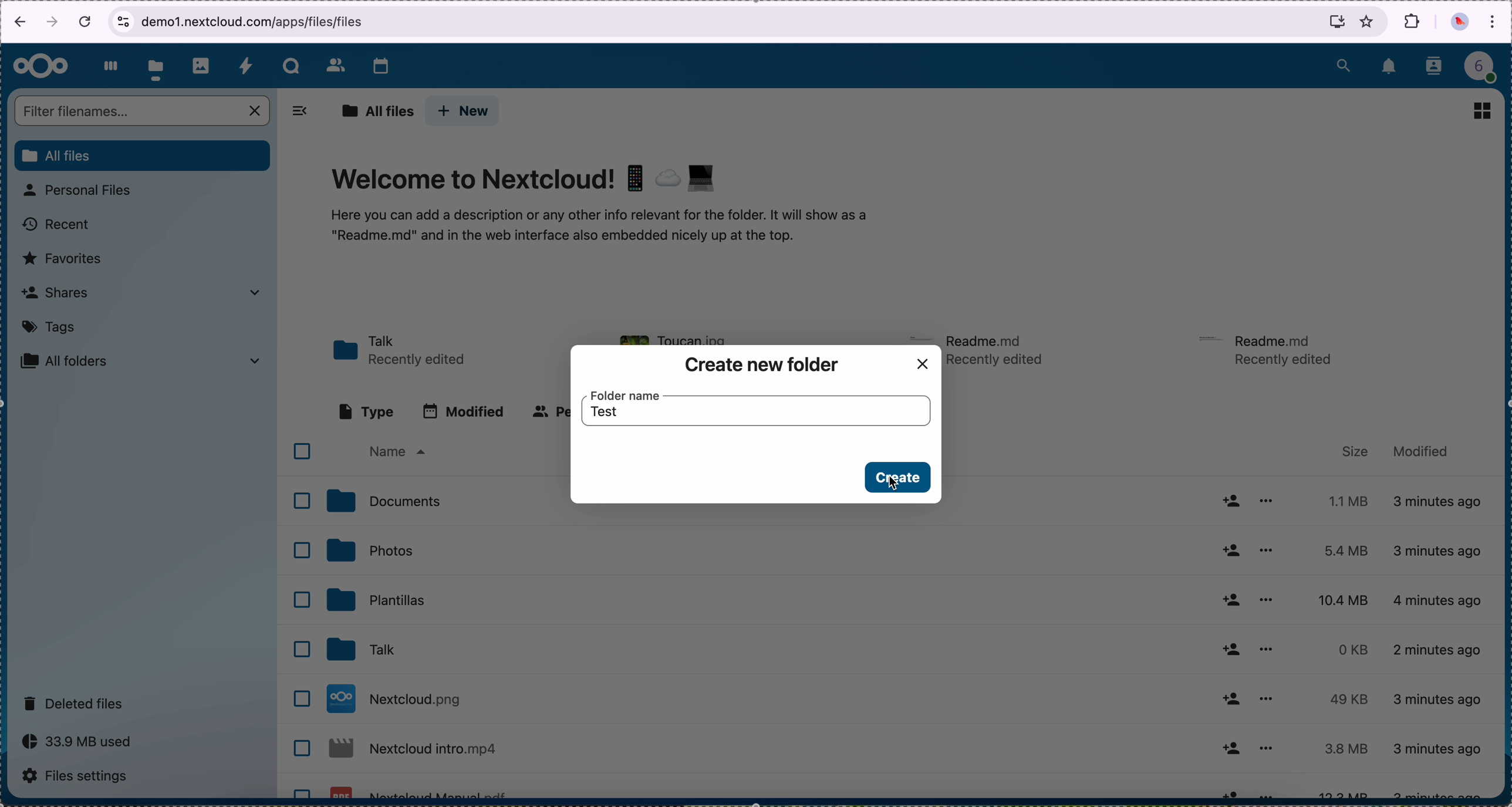 Image resolution: width=1512 pixels, height=807 pixels. What do you see at coordinates (301, 618) in the screenshot?
I see `checkboxes` at bounding box center [301, 618].